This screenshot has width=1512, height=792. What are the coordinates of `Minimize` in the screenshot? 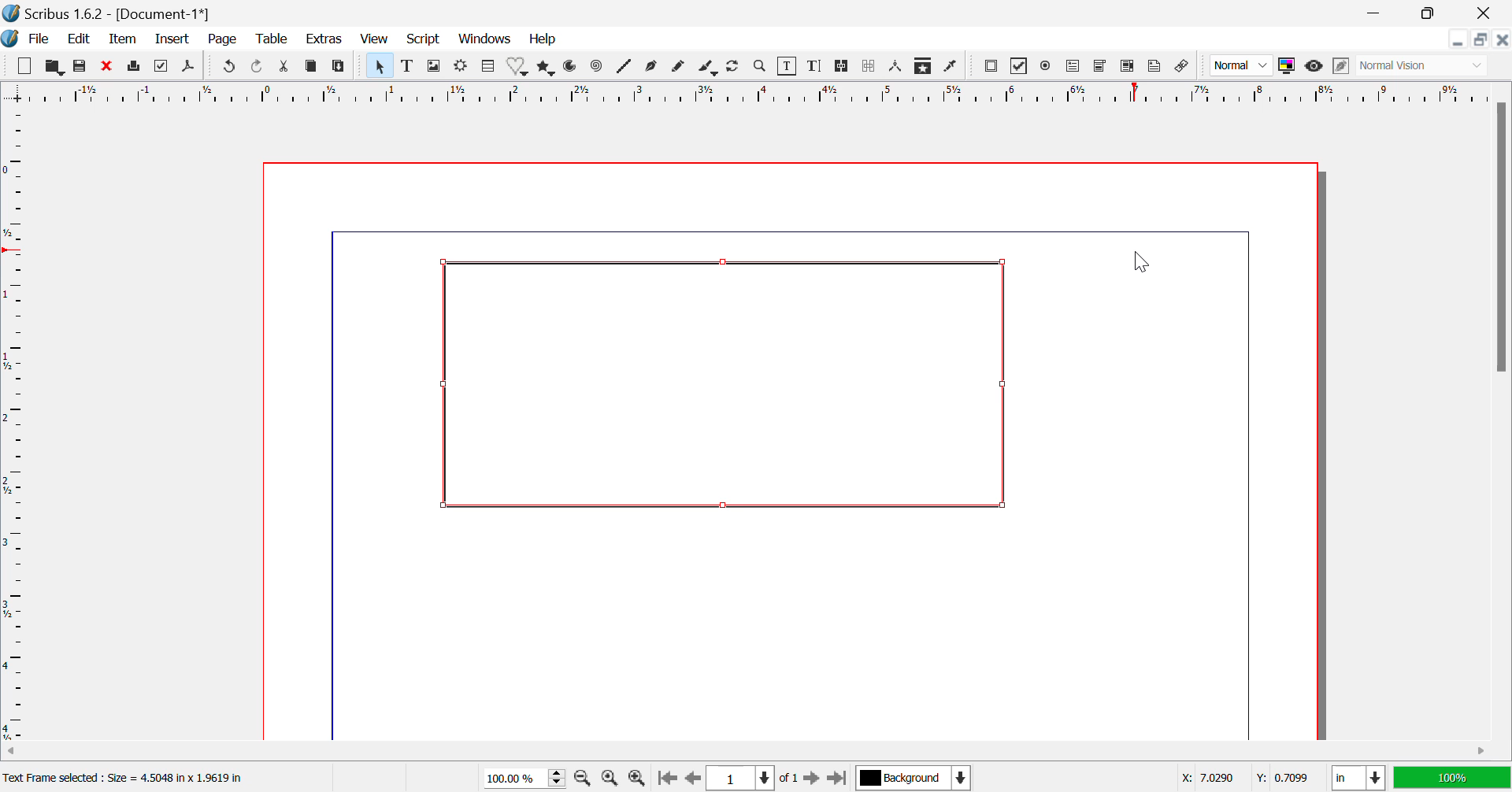 It's located at (1482, 40).